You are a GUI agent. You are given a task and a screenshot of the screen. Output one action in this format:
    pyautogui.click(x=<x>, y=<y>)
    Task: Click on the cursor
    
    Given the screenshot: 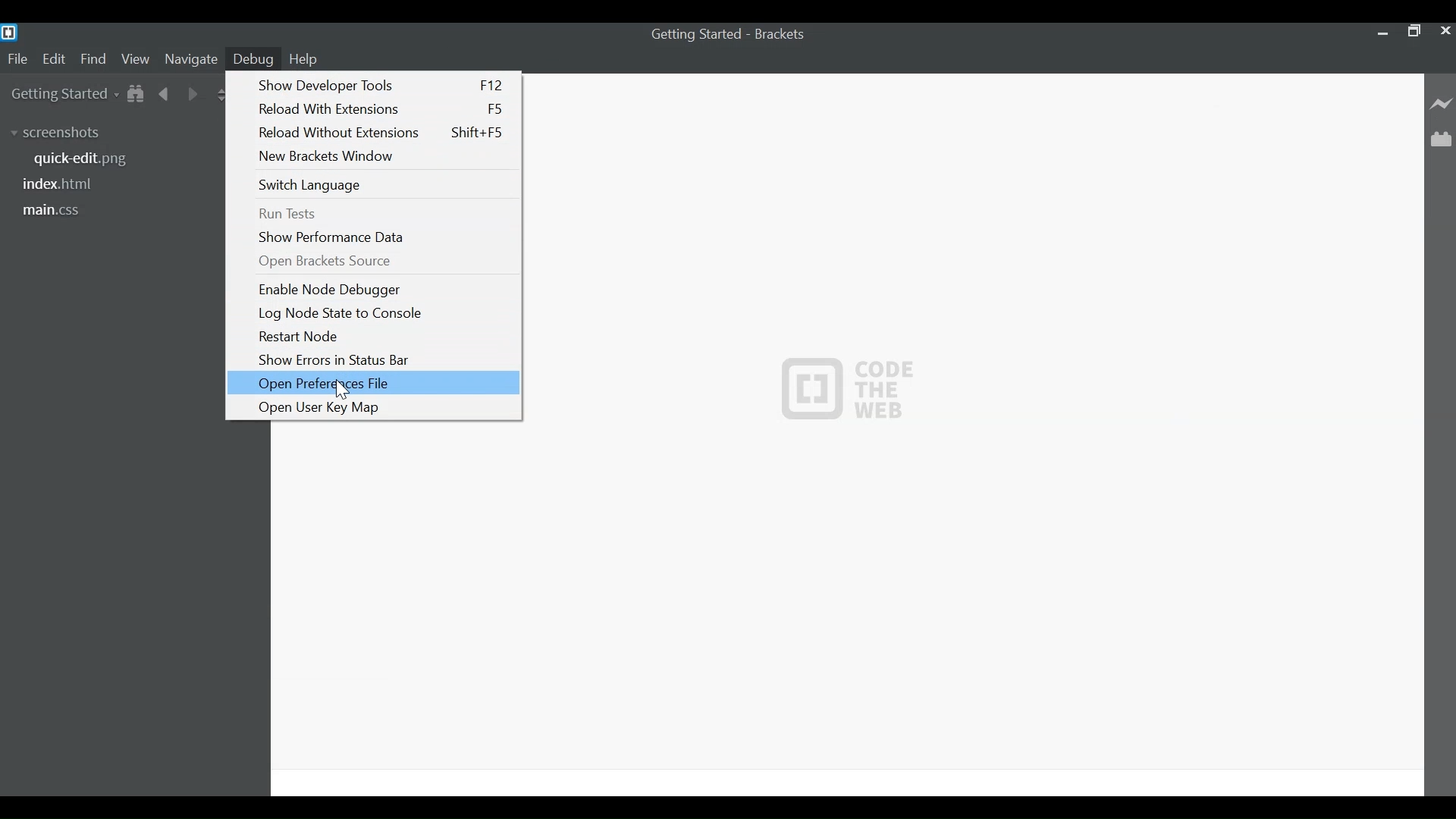 What is the action you would take?
    pyautogui.click(x=337, y=389)
    